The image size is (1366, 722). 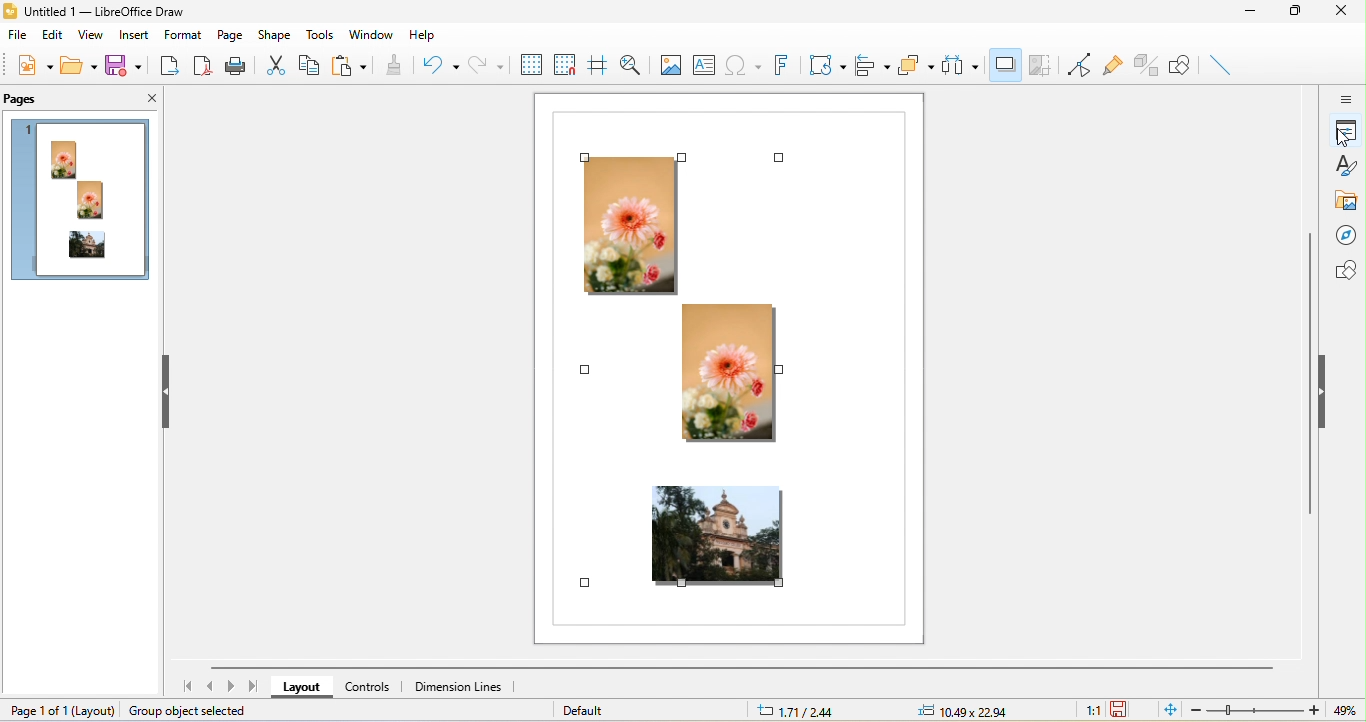 What do you see at coordinates (1347, 201) in the screenshot?
I see `gallery` at bounding box center [1347, 201].